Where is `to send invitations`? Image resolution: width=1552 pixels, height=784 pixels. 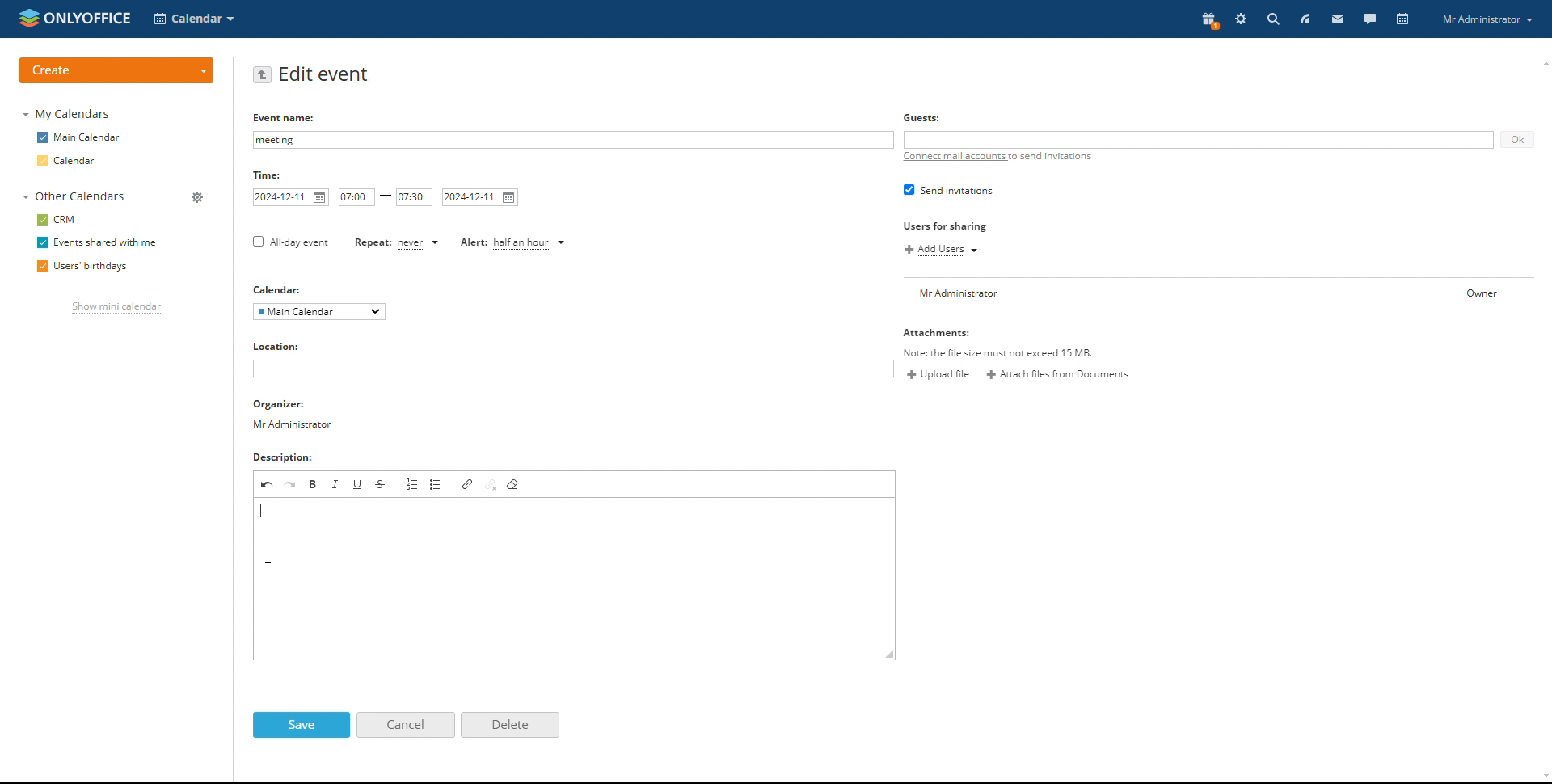
to send invitations is located at coordinates (1052, 157).